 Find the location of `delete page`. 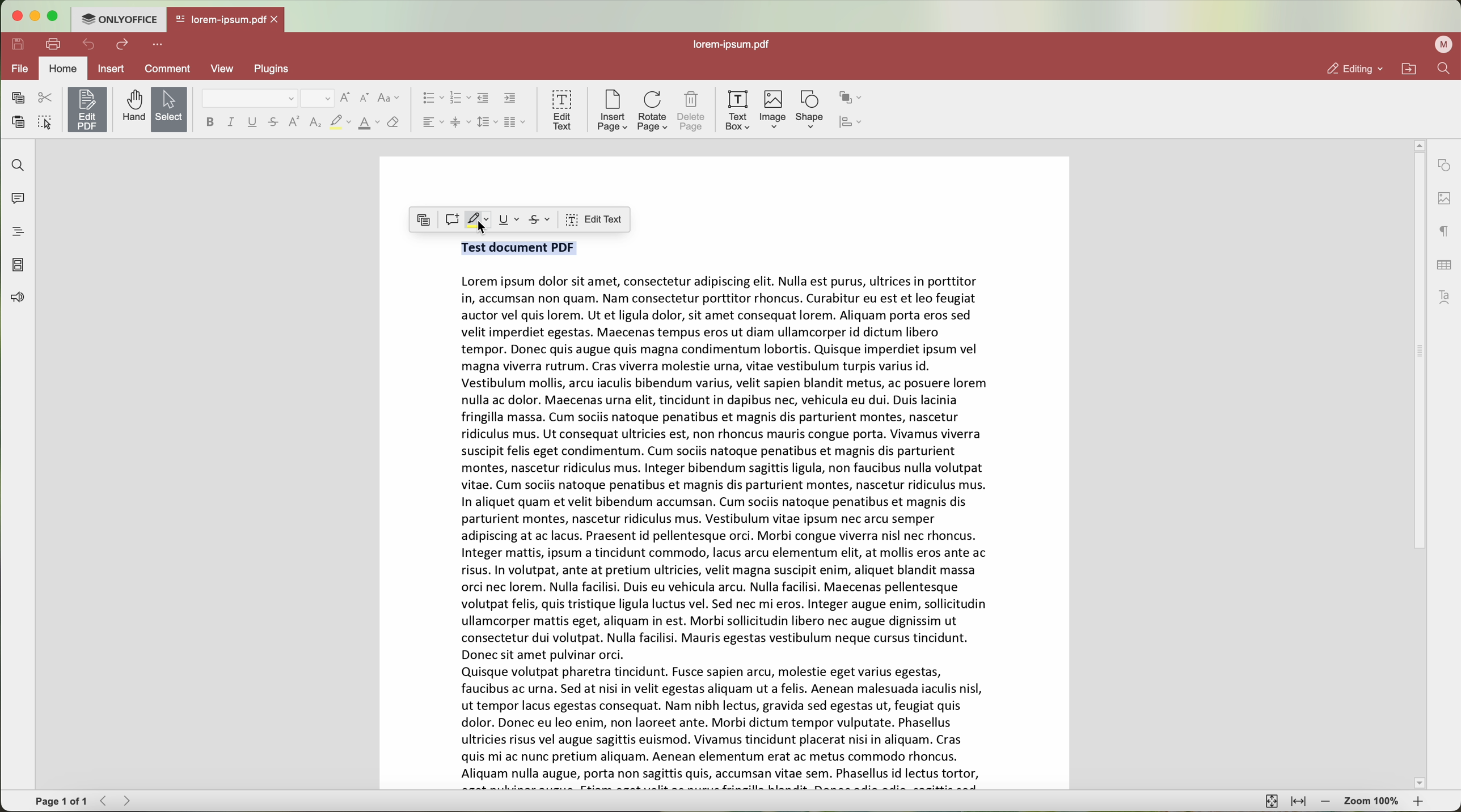

delete page is located at coordinates (692, 112).